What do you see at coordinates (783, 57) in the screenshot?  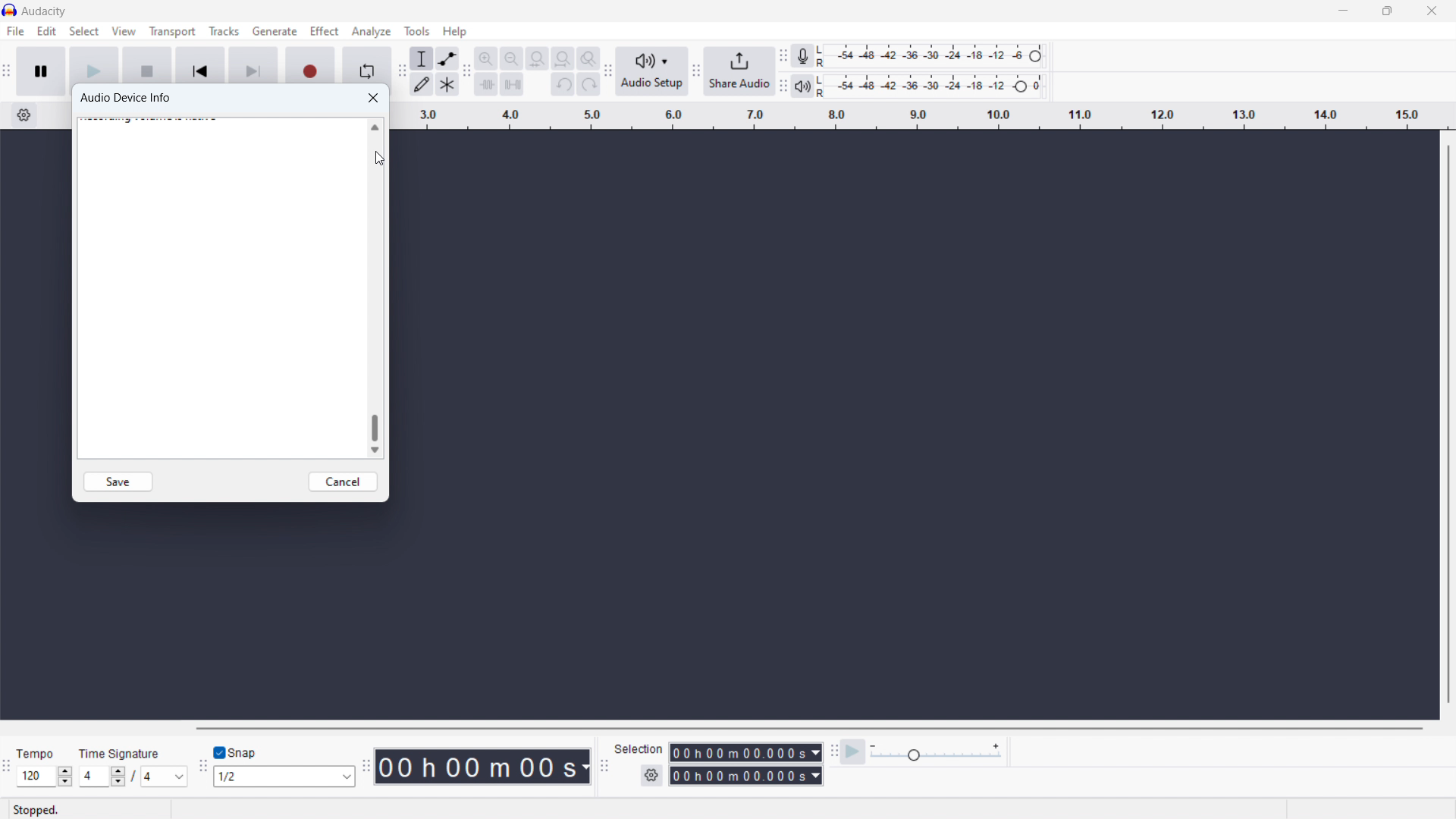 I see `recording meter toolbar` at bounding box center [783, 57].